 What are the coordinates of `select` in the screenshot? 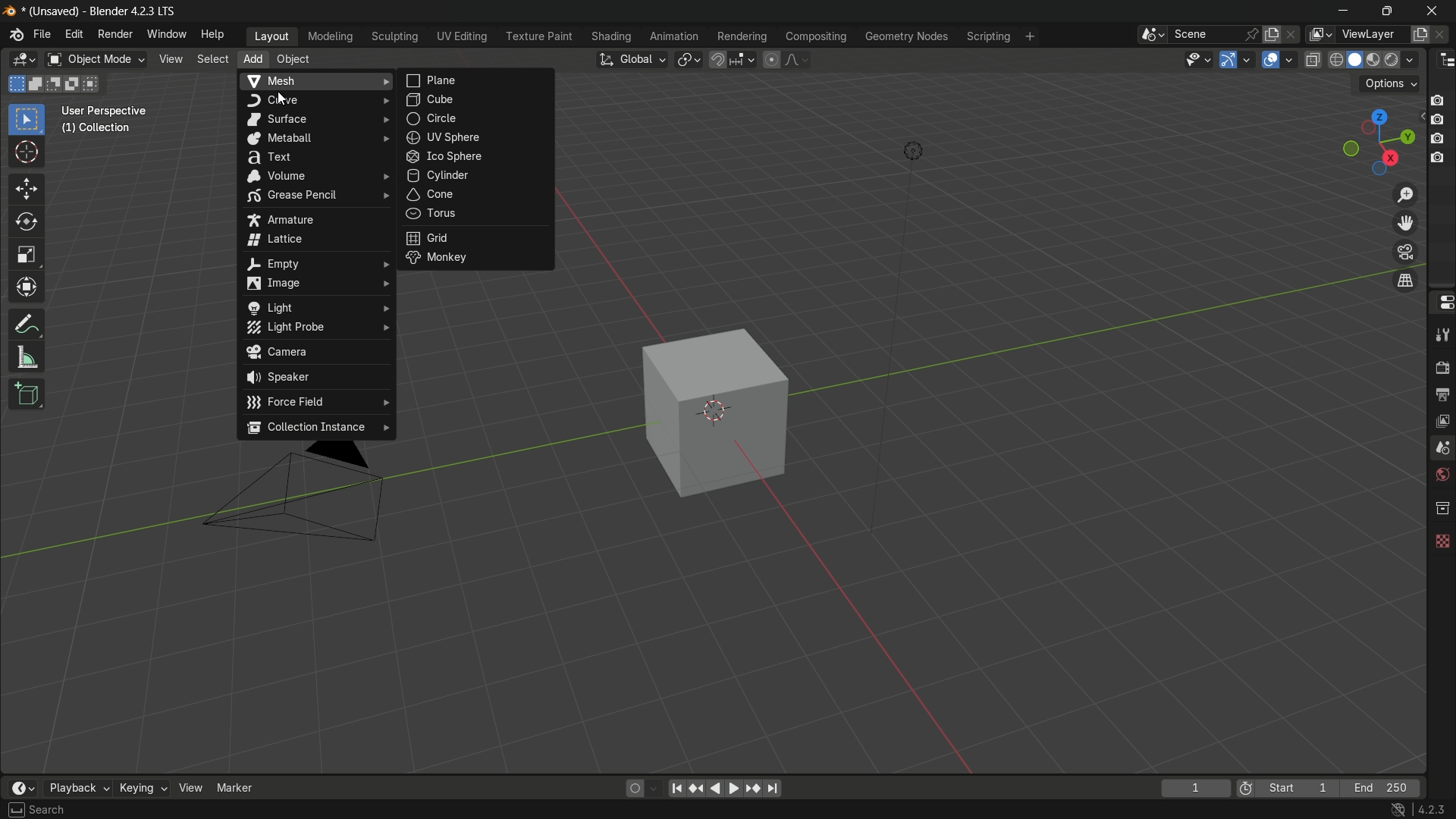 It's located at (36, 811).